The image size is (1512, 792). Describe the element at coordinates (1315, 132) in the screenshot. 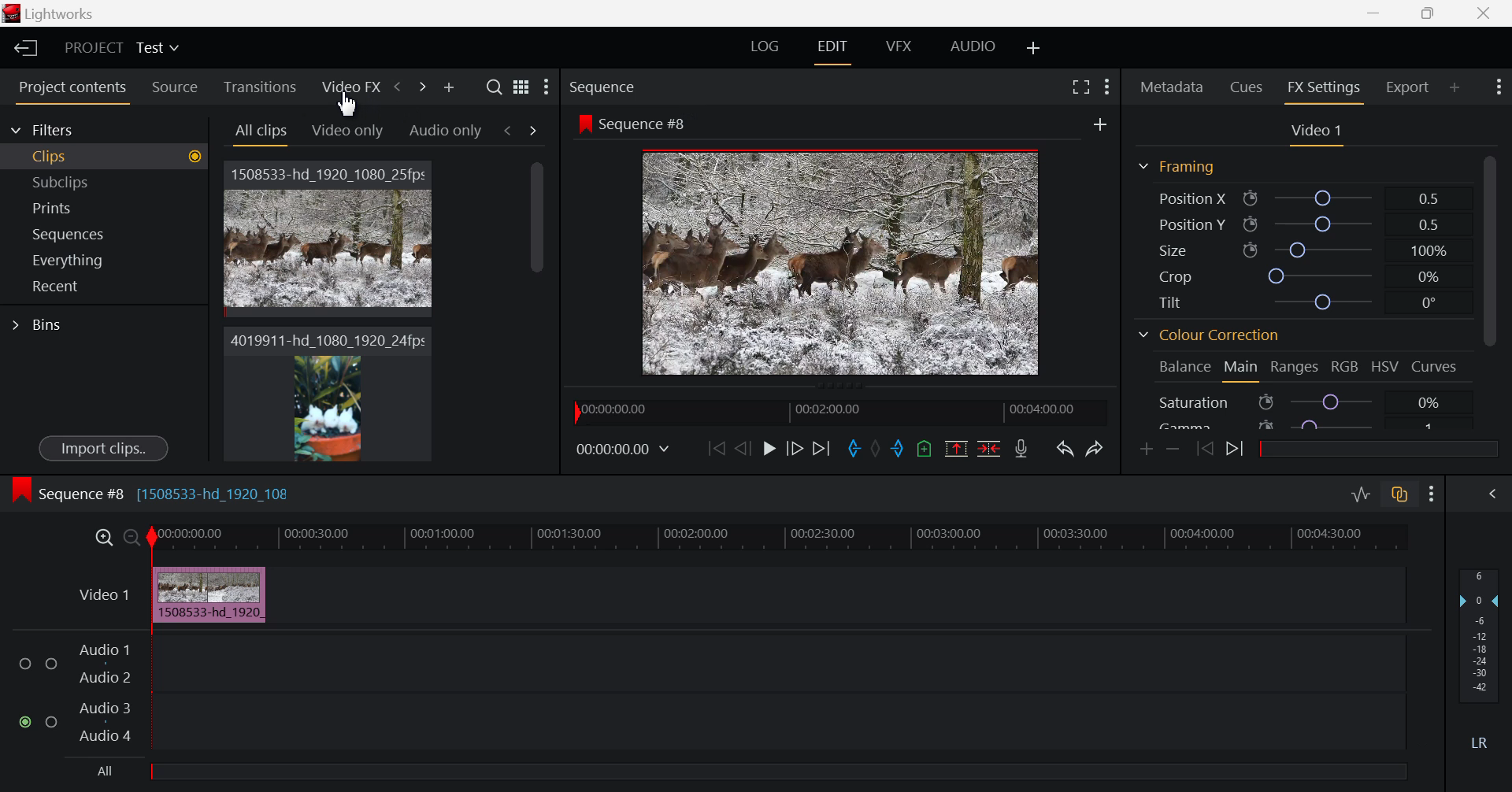

I see `Video Settings Section` at that location.